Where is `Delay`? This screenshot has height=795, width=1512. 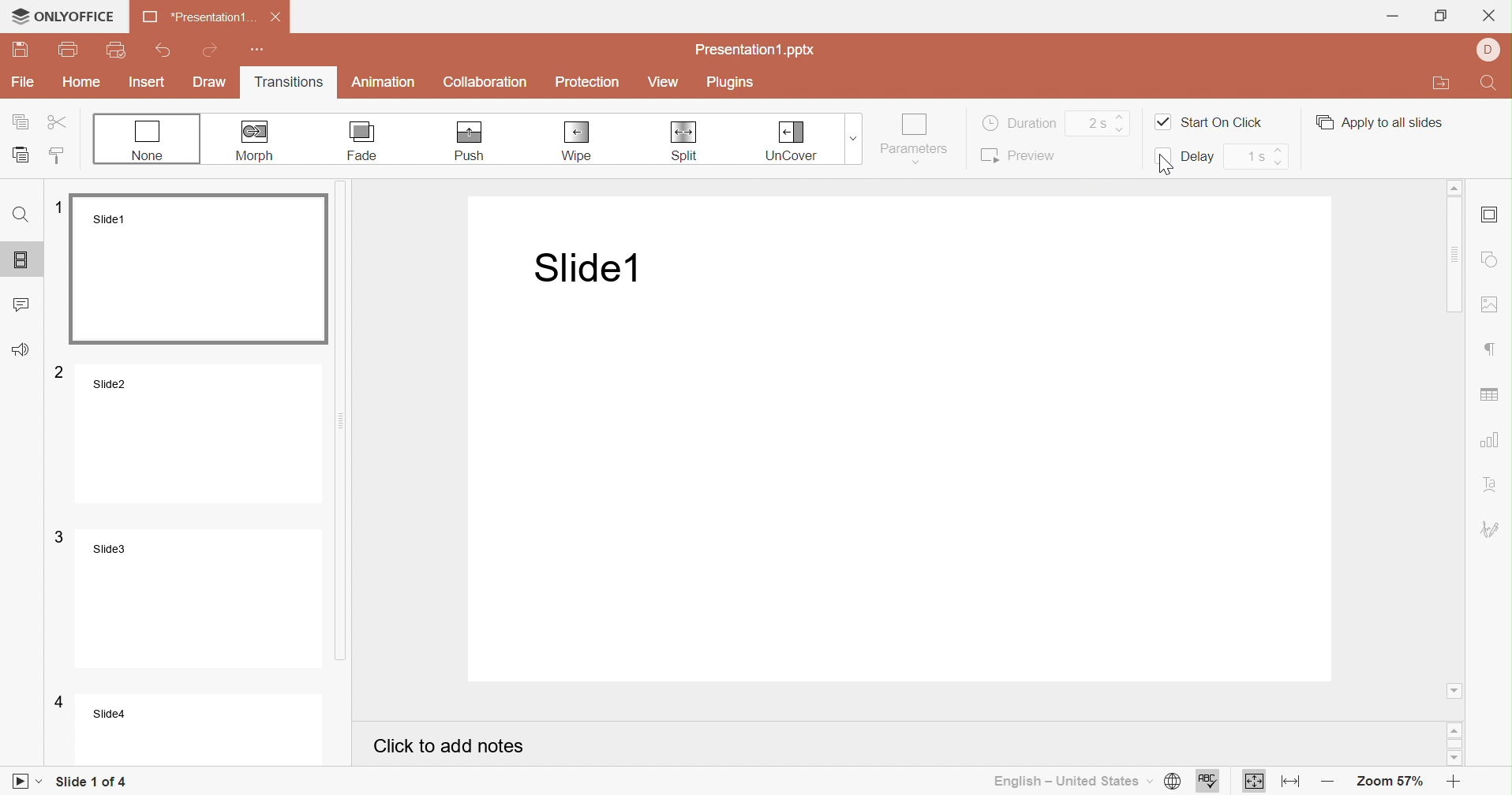
Delay is located at coordinates (1186, 158).